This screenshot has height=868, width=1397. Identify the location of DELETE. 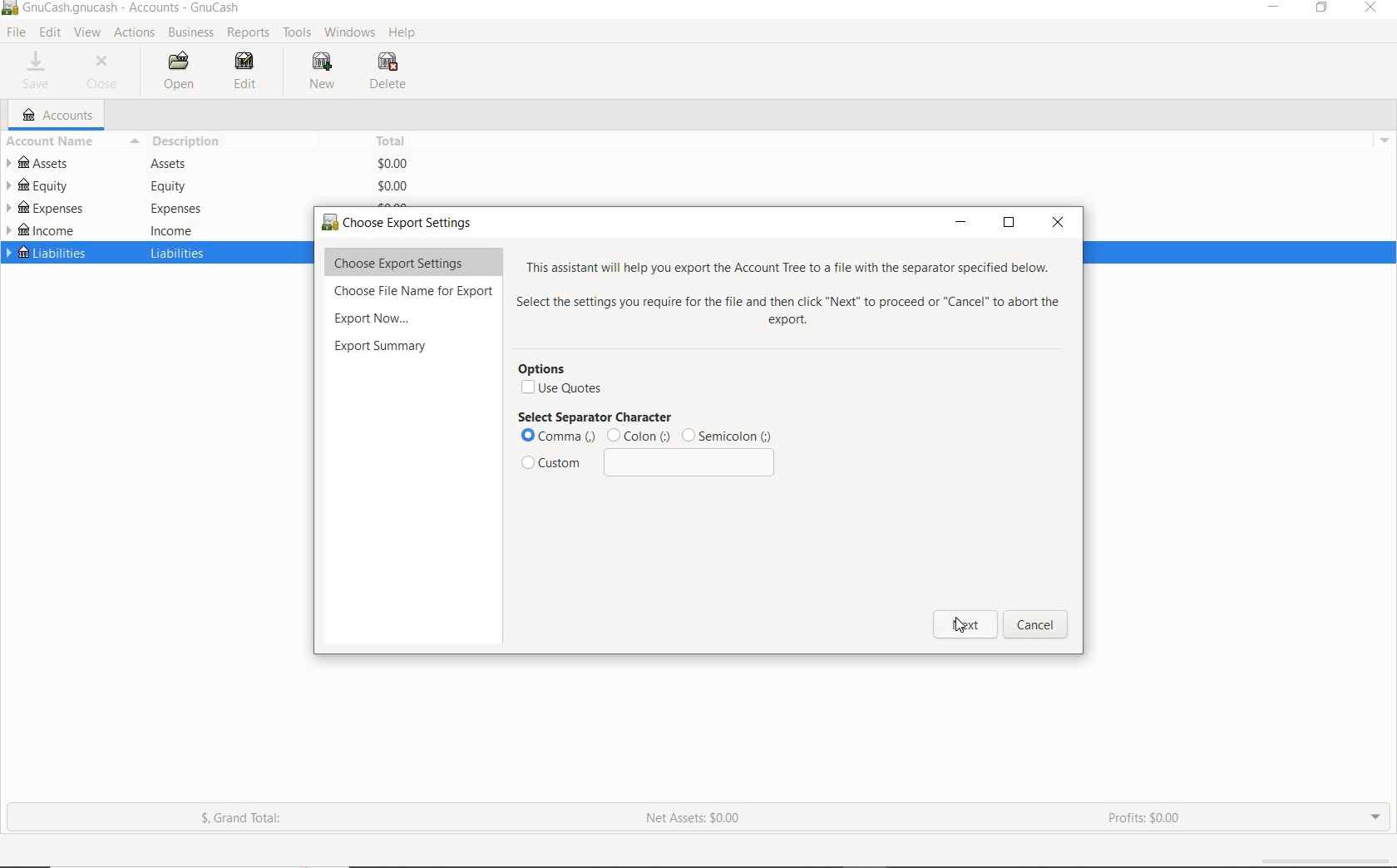
(388, 73).